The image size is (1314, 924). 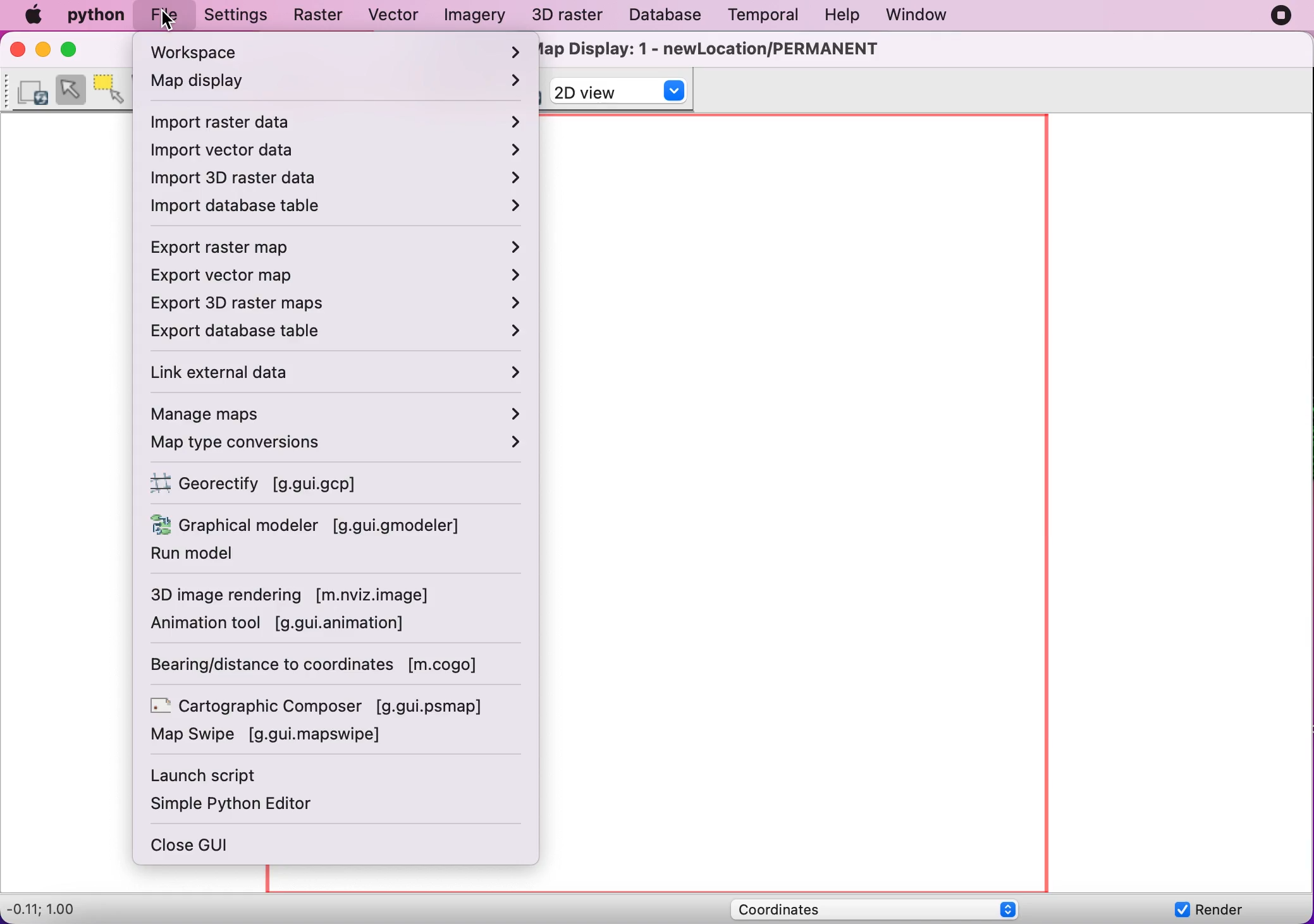 I want to click on map display, so click(x=338, y=82).